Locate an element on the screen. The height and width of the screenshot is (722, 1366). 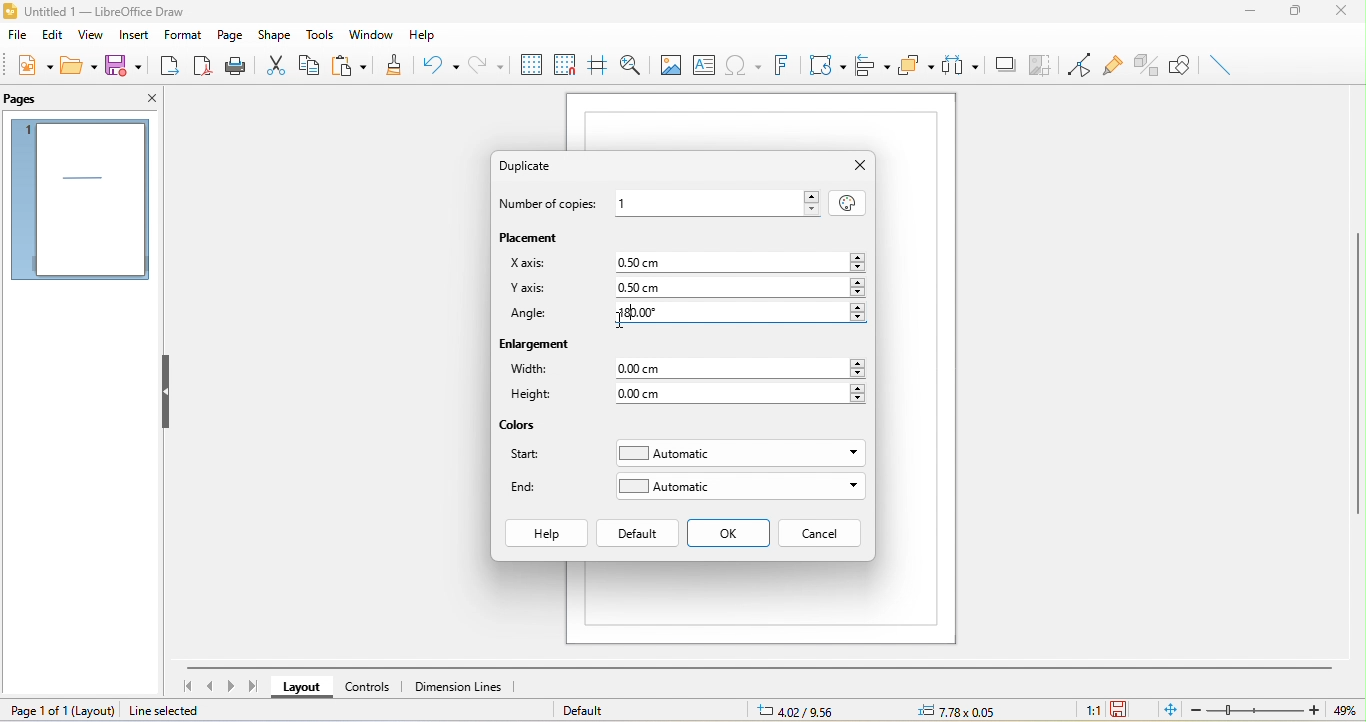
clone formatting is located at coordinates (397, 63).